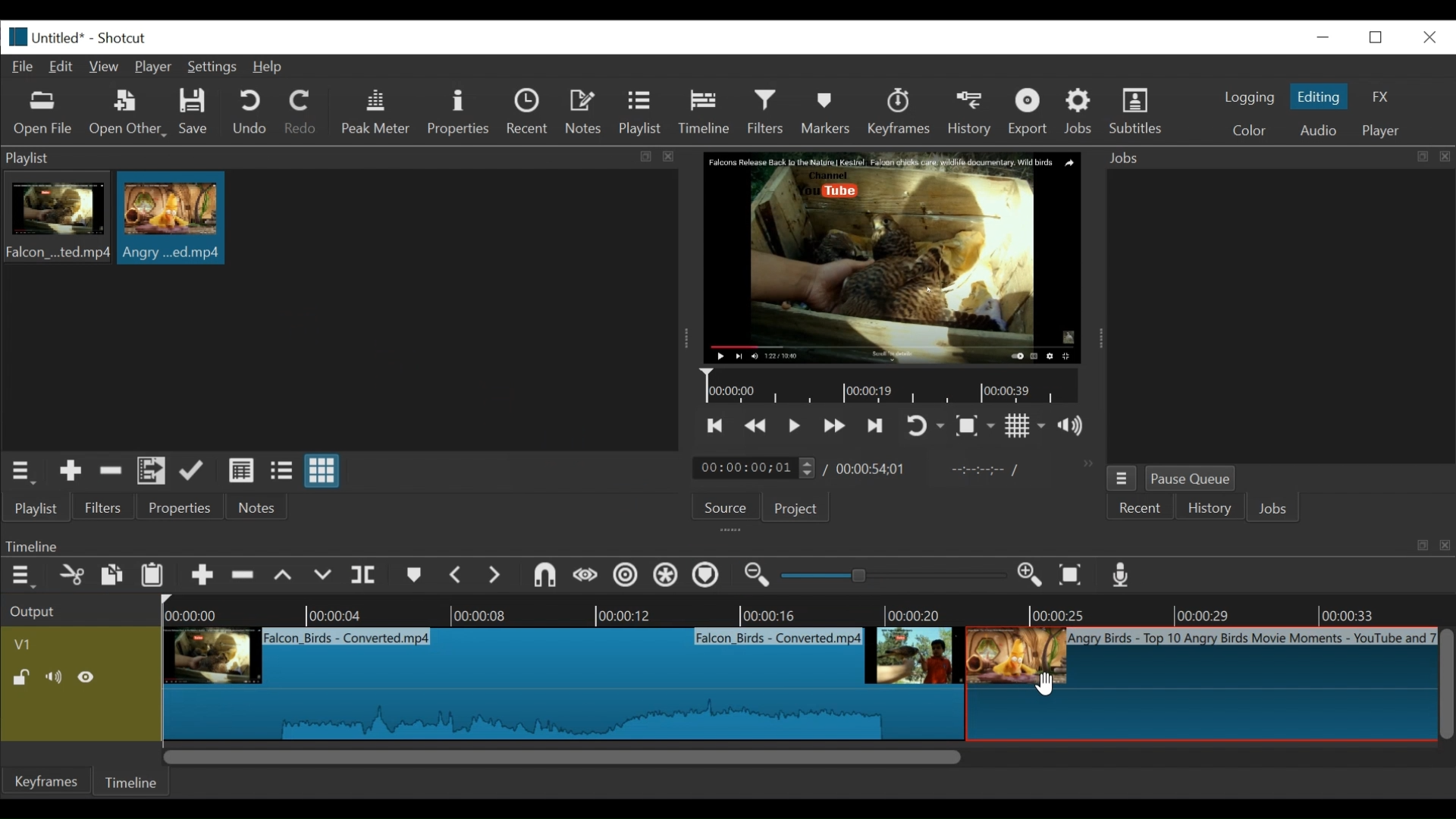 The image size is (1456, 819). I want to click on split at playhead, so click(366, 576).